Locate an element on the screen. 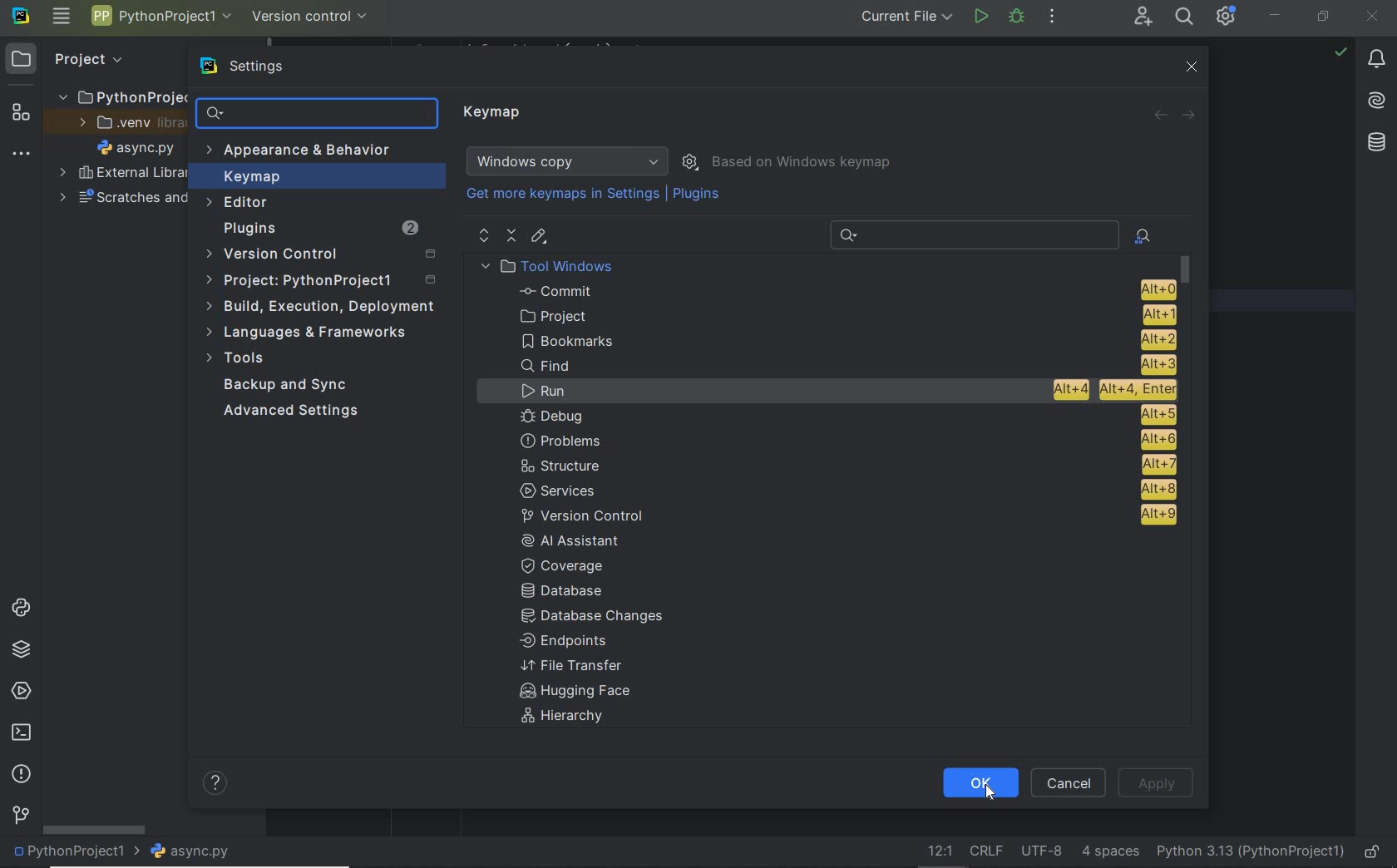  Commit is located at coordinates (844, 291).